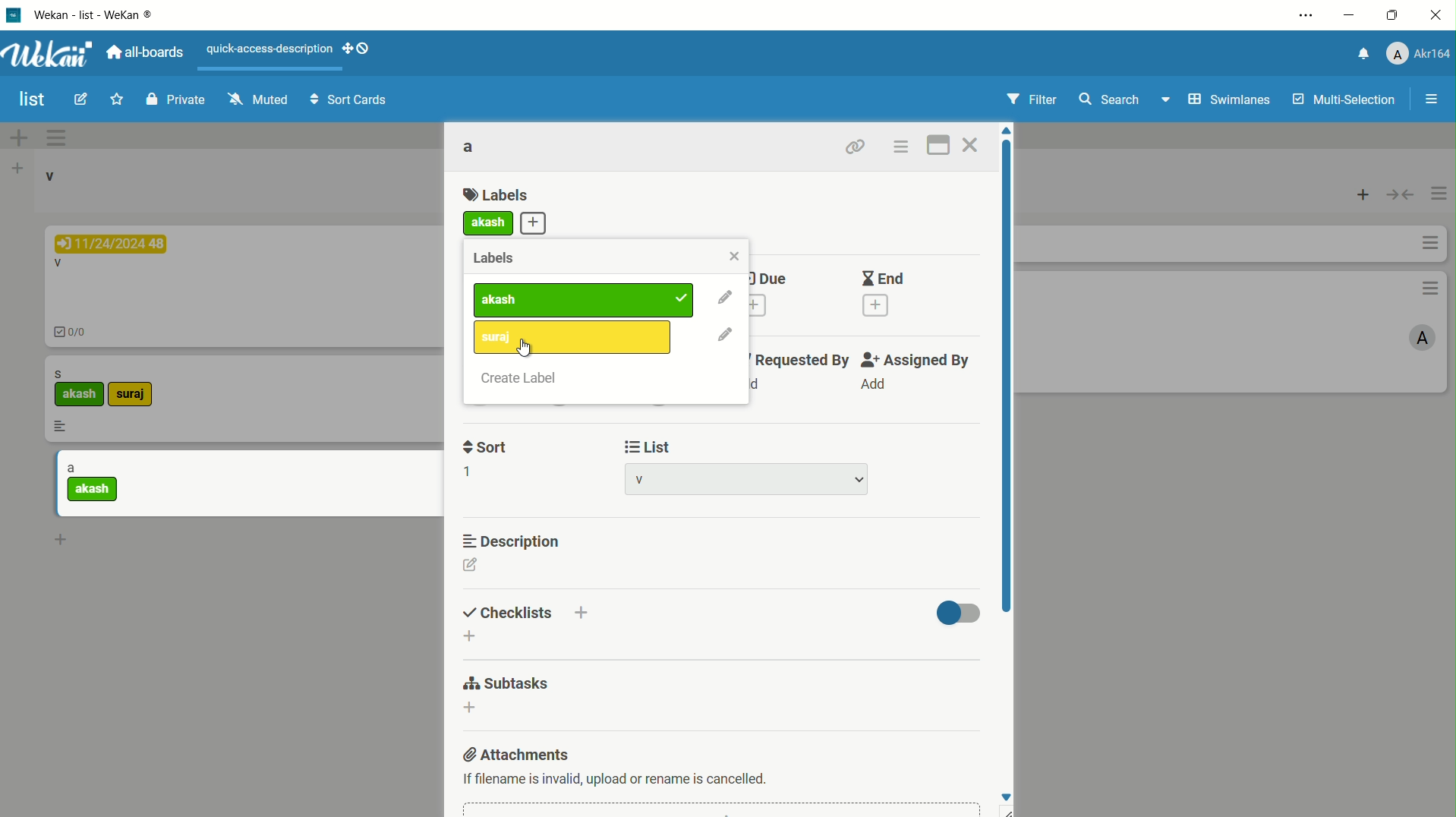 The width and height of the screenshot is (1456, 817). Describe the element at coordinates (1432, 99) in the screenshot. I see `open/close sidebar` at that location.